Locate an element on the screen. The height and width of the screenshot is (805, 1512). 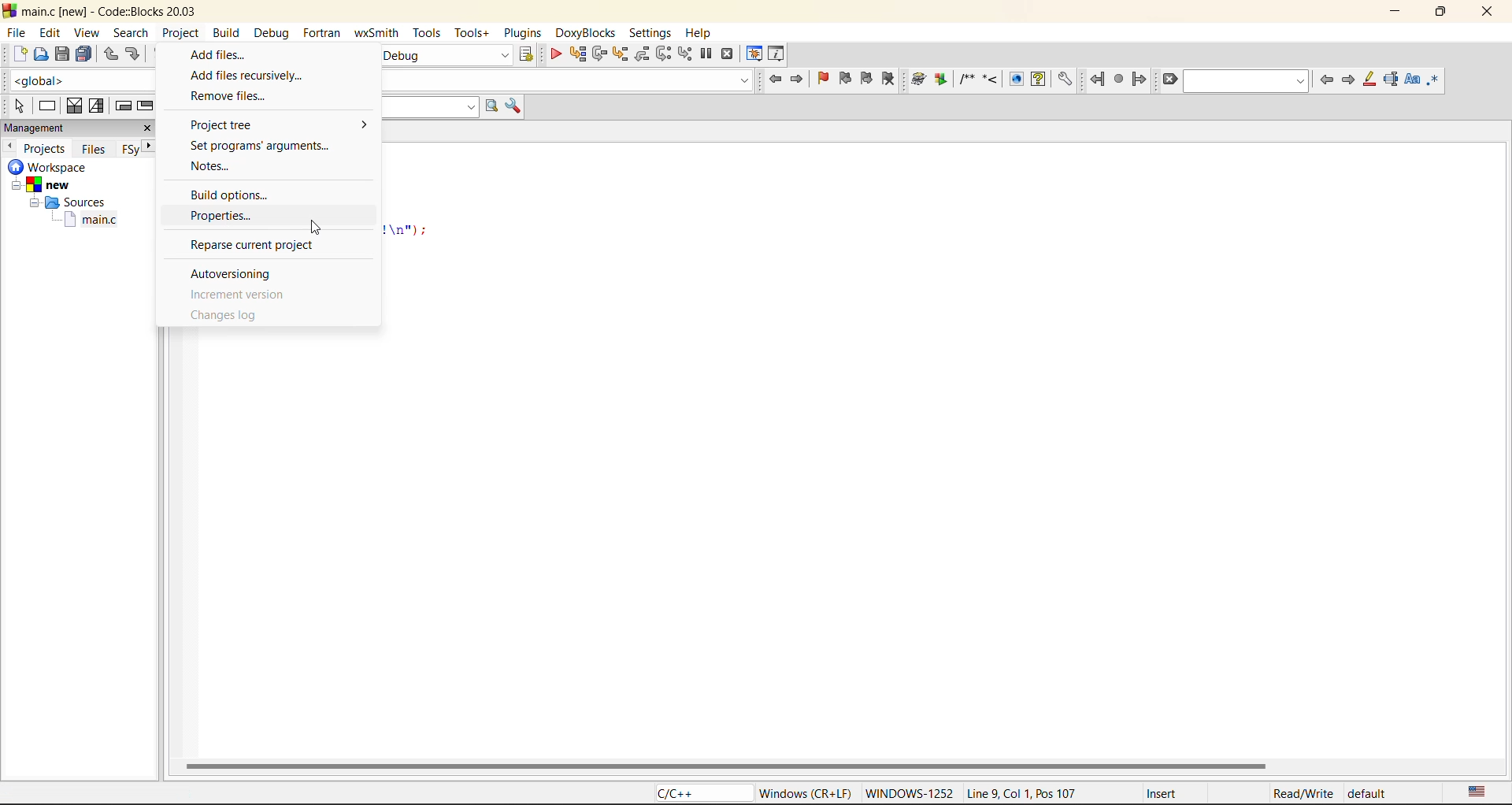
FSy is located at coordinates (130, 150).